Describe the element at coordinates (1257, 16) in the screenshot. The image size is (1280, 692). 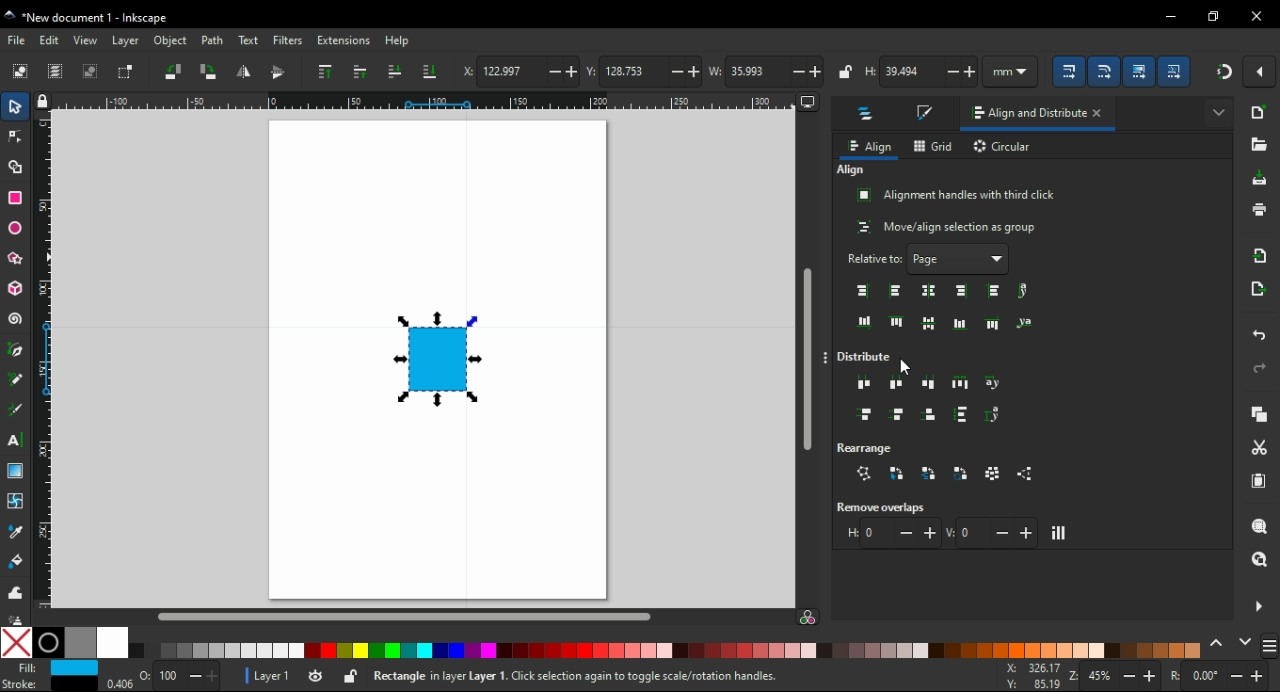
I see `close window` at that location.